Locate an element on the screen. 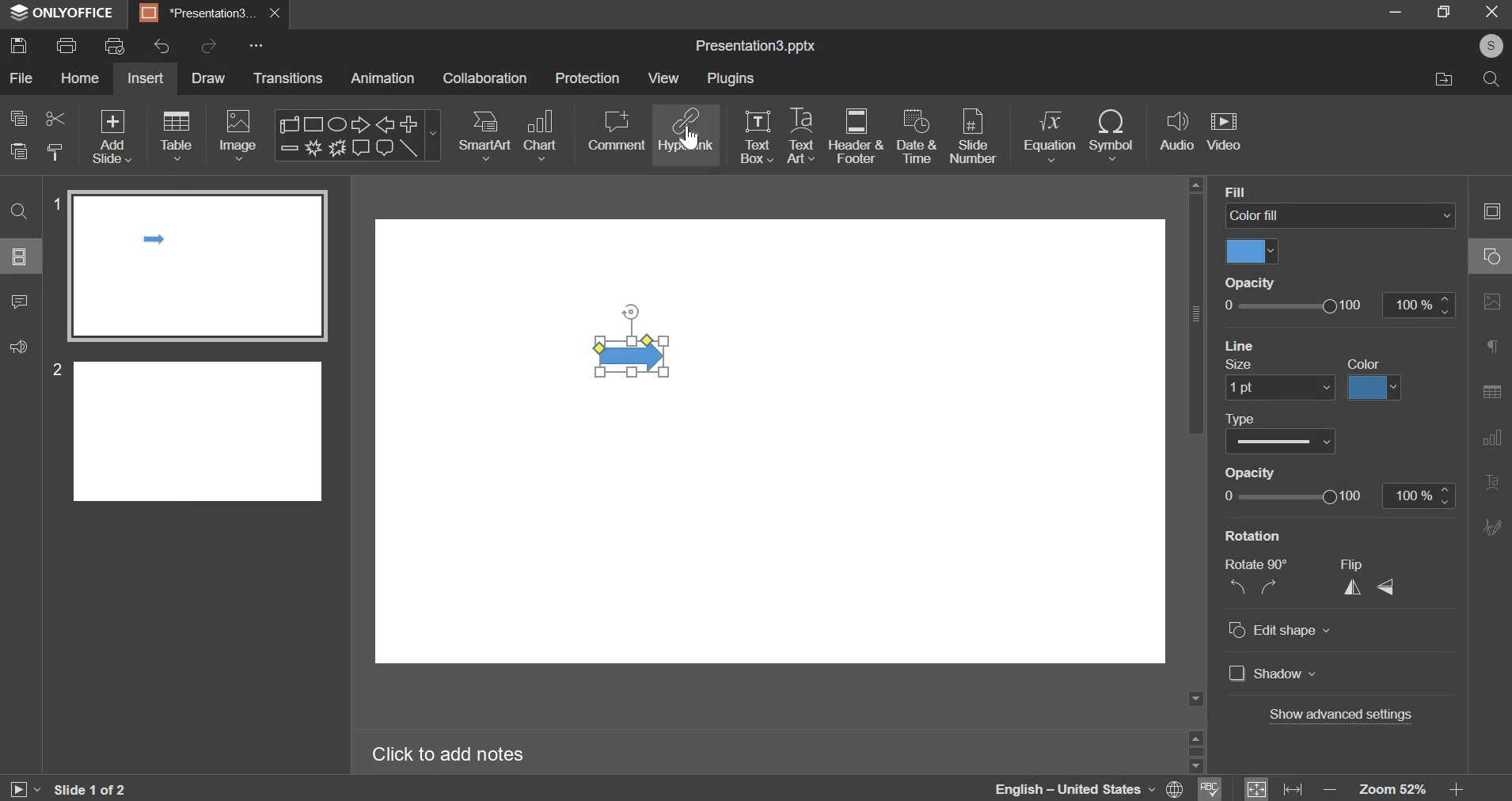 This screenshot has height=801, width=1512. fit to width is located at coordinates (1293, 790).